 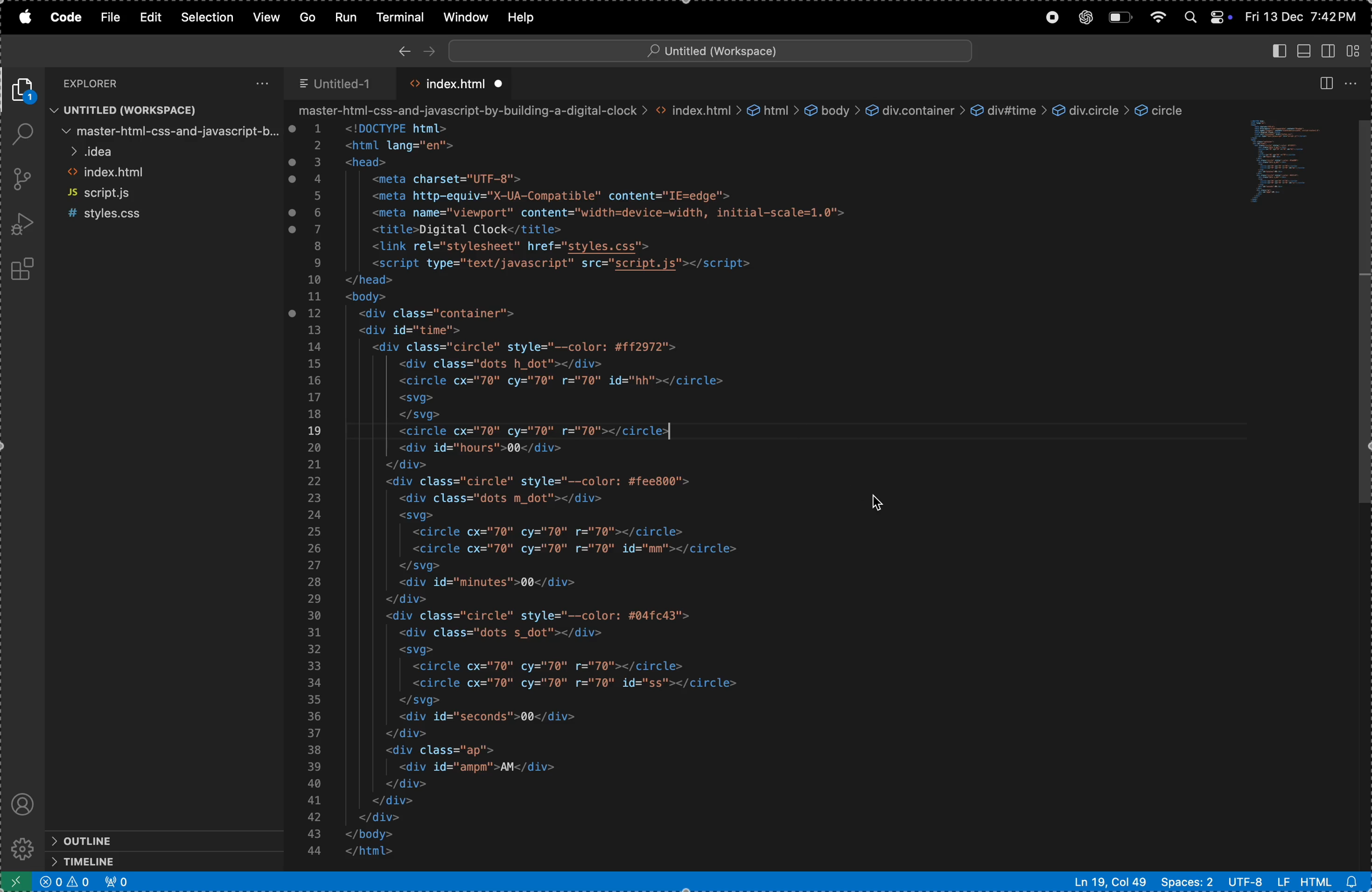 I want to click on no problems, so click(x=65, y=883).